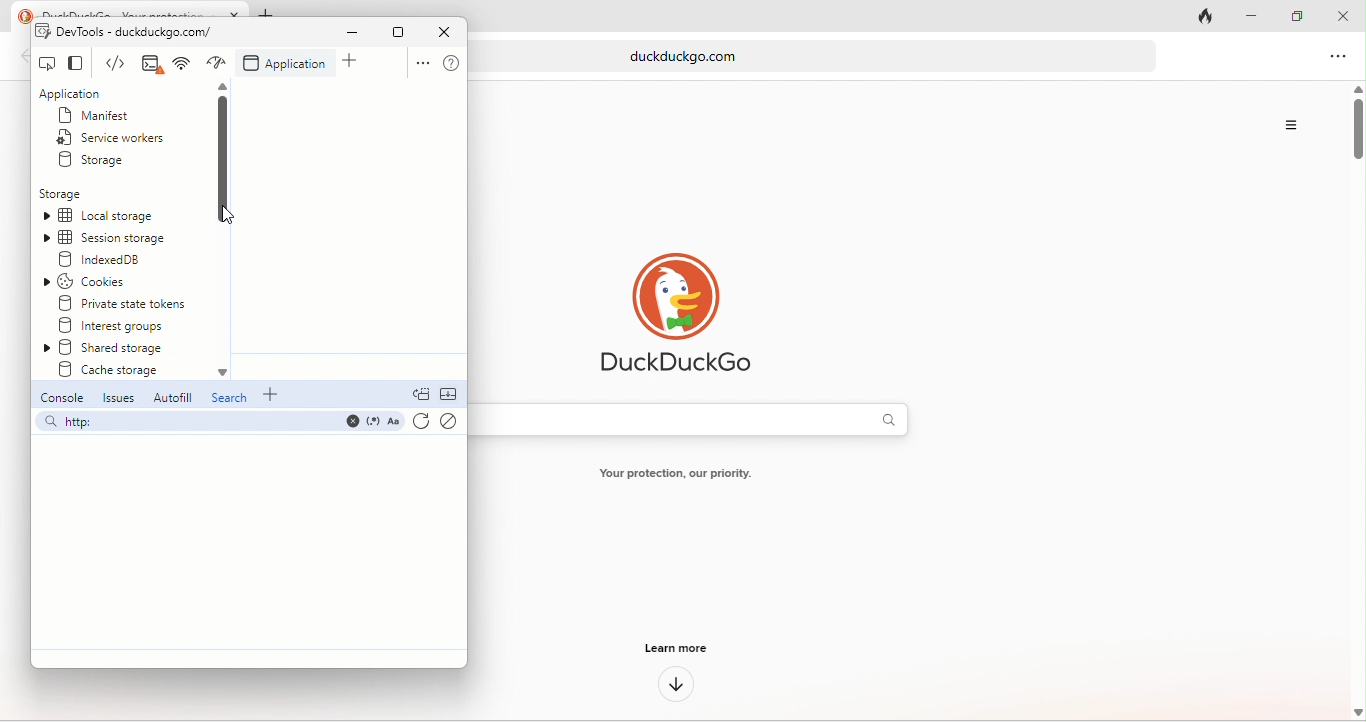  What do you see at coordinates (133, 370) in the screenshot?
I see `create storage` at bounding box center [133, 370].